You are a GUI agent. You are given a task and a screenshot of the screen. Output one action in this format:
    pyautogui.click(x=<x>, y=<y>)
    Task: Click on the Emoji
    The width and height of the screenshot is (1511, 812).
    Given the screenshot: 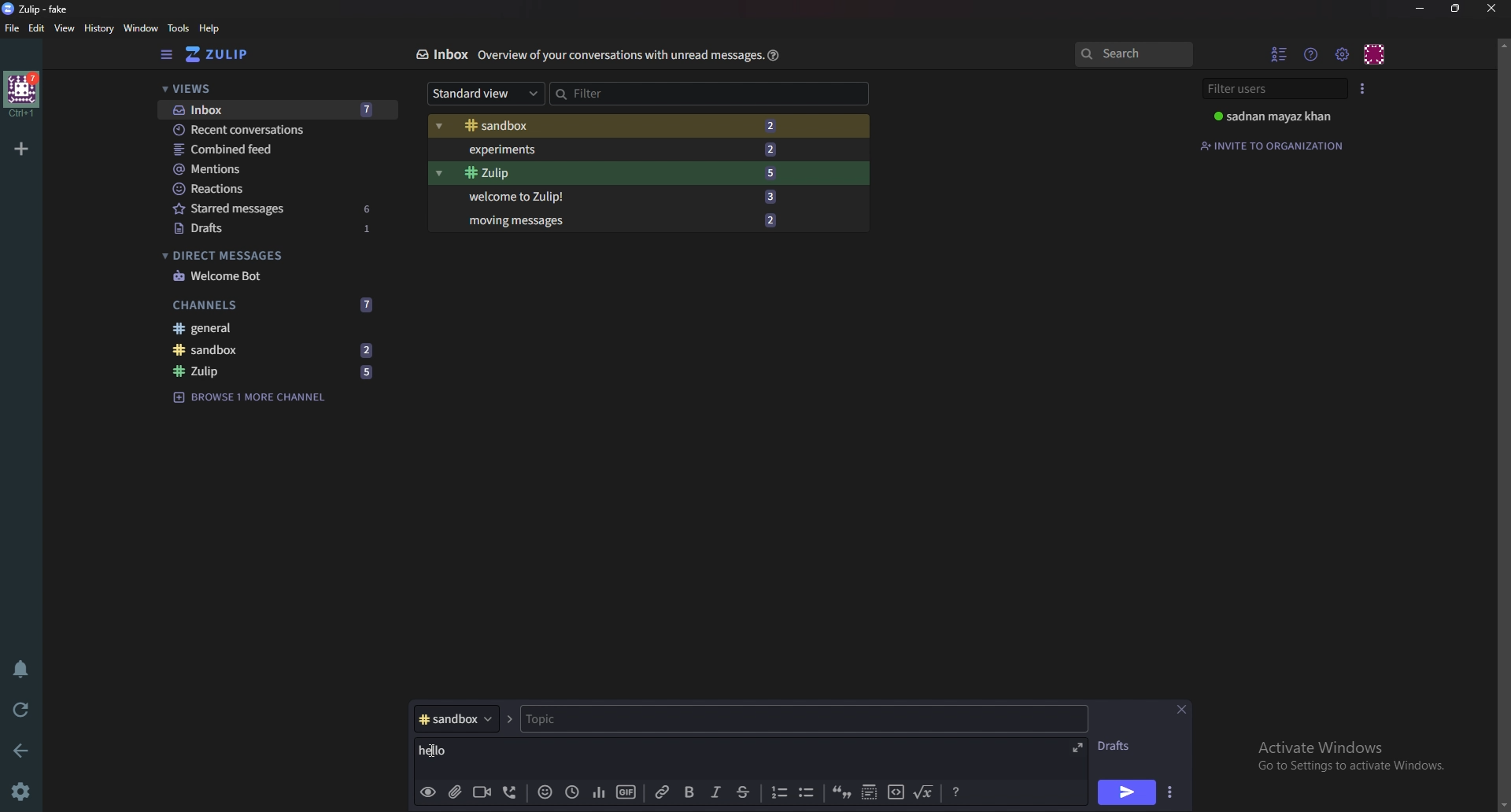 What is the action you would take?
    pyautogui.click(x=544, y=792)
    